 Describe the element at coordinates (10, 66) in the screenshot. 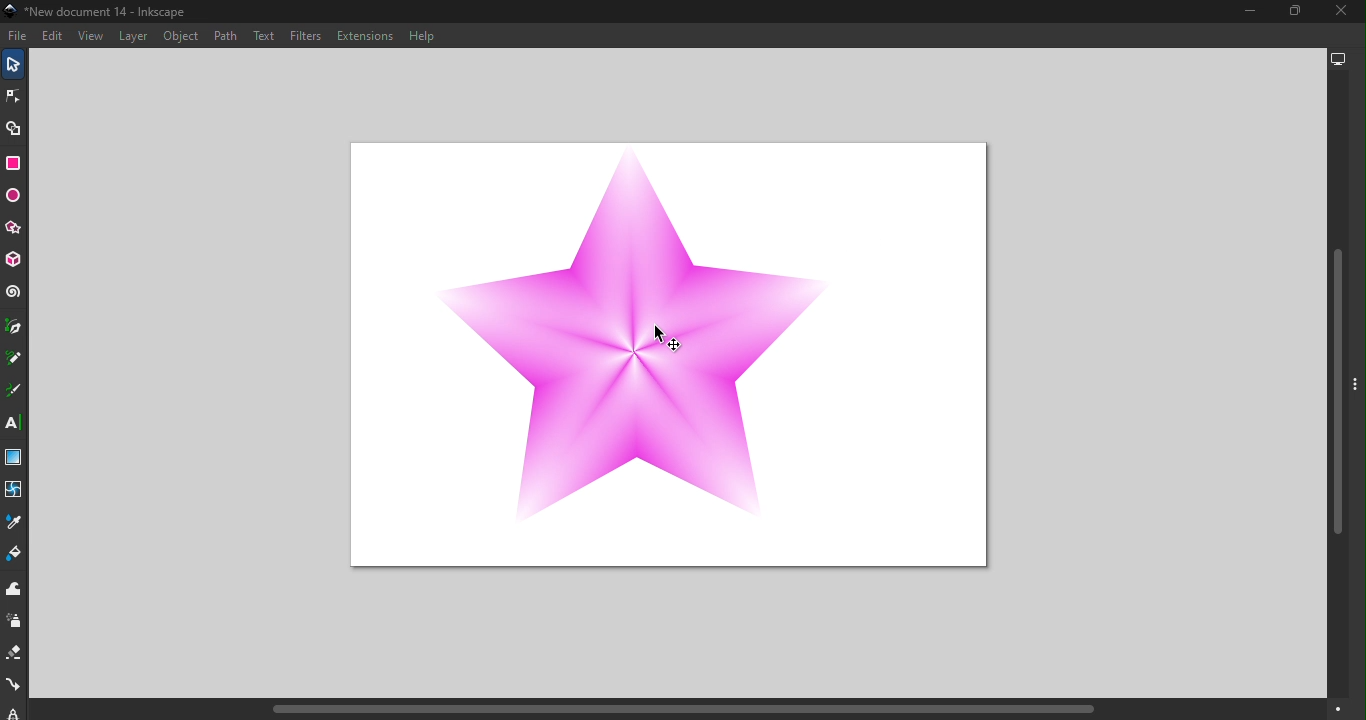

I see `Selector tool` at that location.